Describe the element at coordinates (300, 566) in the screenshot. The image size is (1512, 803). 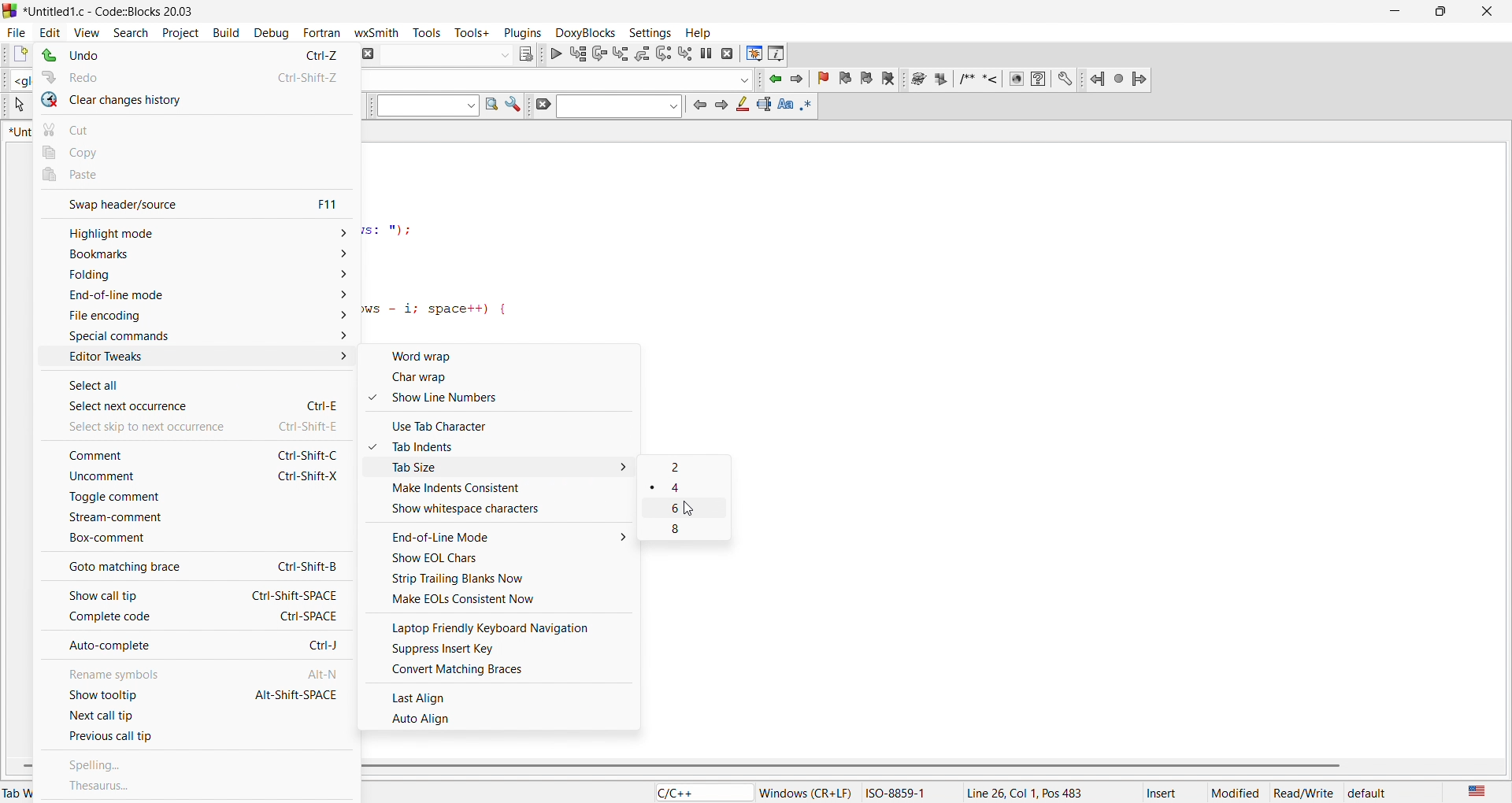
I see `Ctrl-Shift-8` at that location.